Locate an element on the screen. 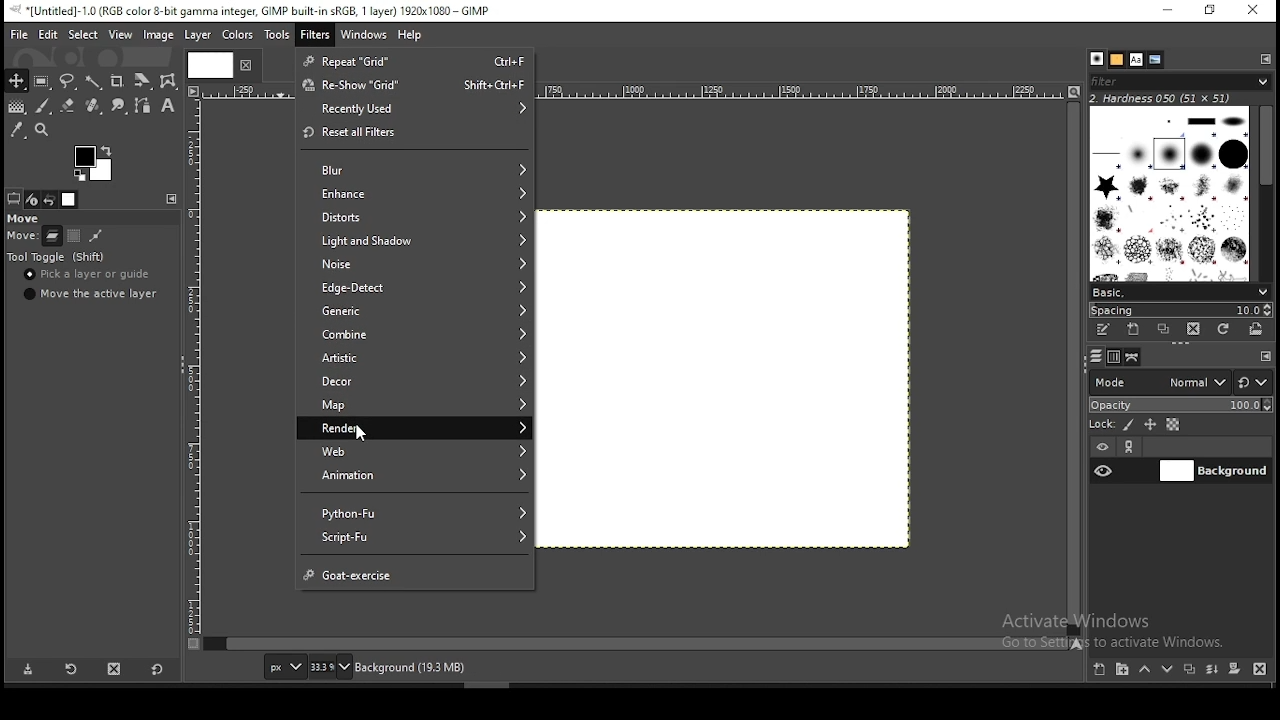 This screenshot has width=1280, height=720. eraser tool is located at coordinates (69, 107).